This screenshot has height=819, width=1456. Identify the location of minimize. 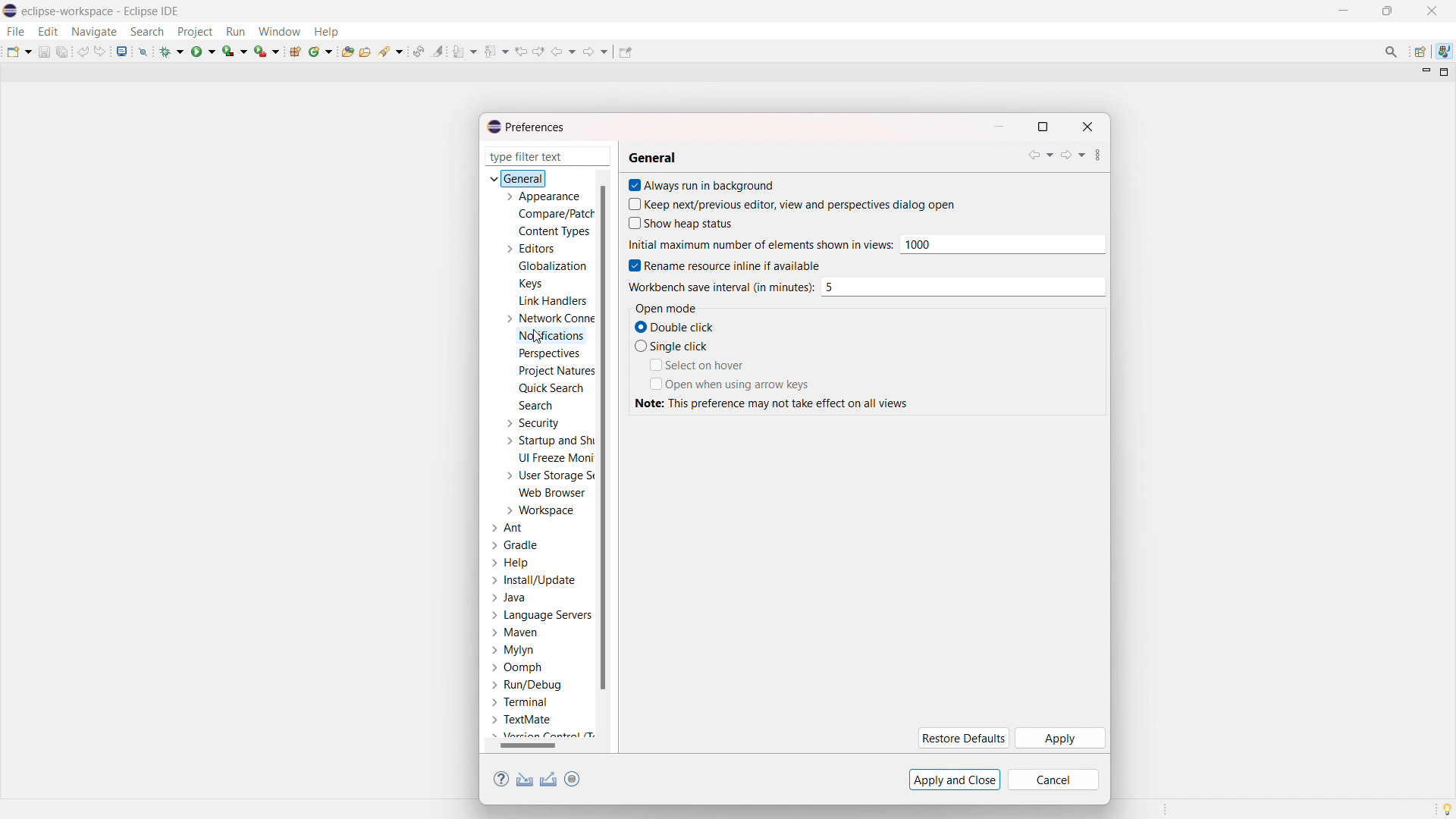
(1347, 11).